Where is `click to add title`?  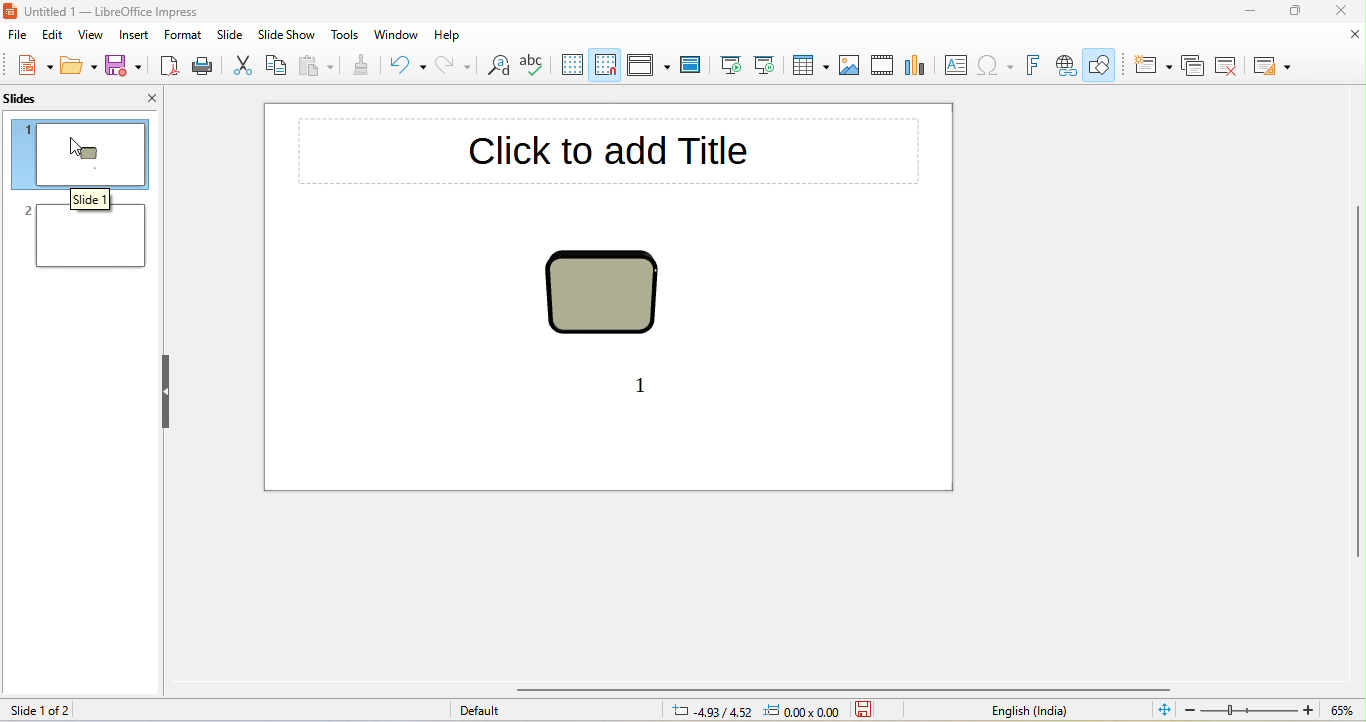 click to add title is located at coordinates (612, 151).